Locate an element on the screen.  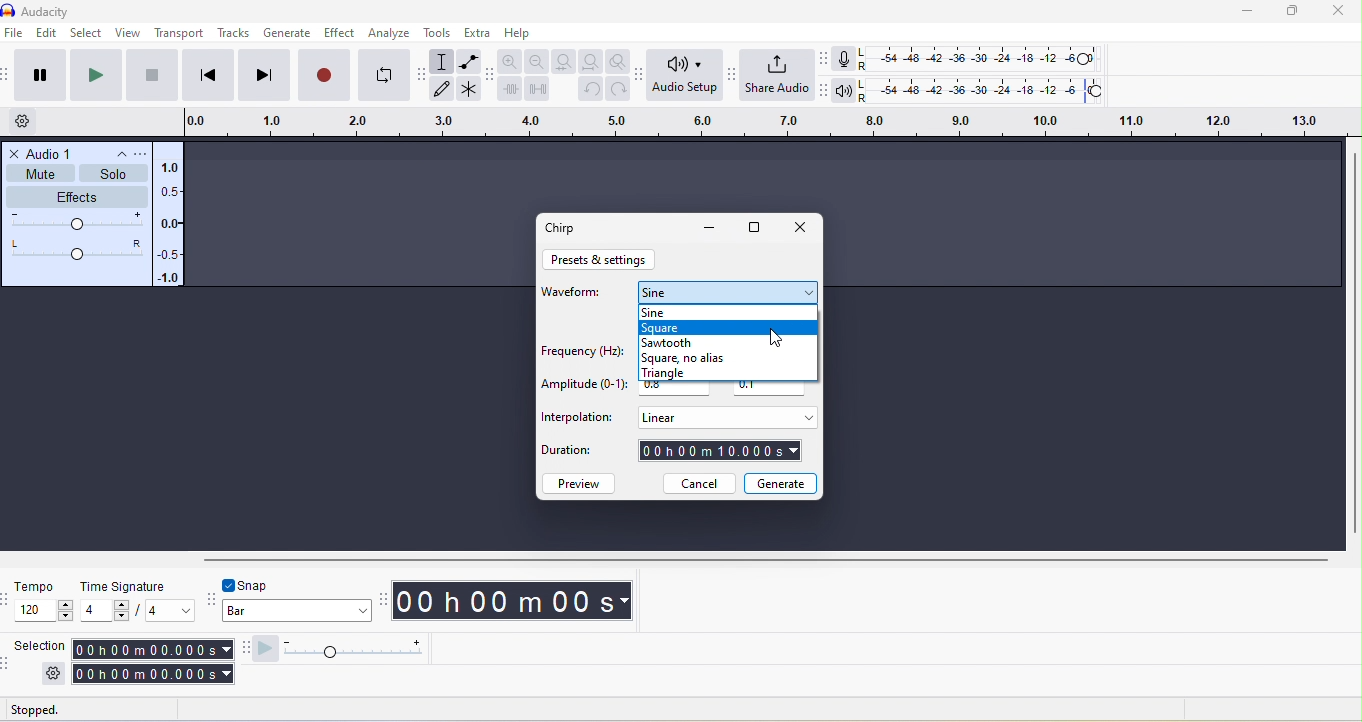
audio setup is located at coordinates (687, 76).